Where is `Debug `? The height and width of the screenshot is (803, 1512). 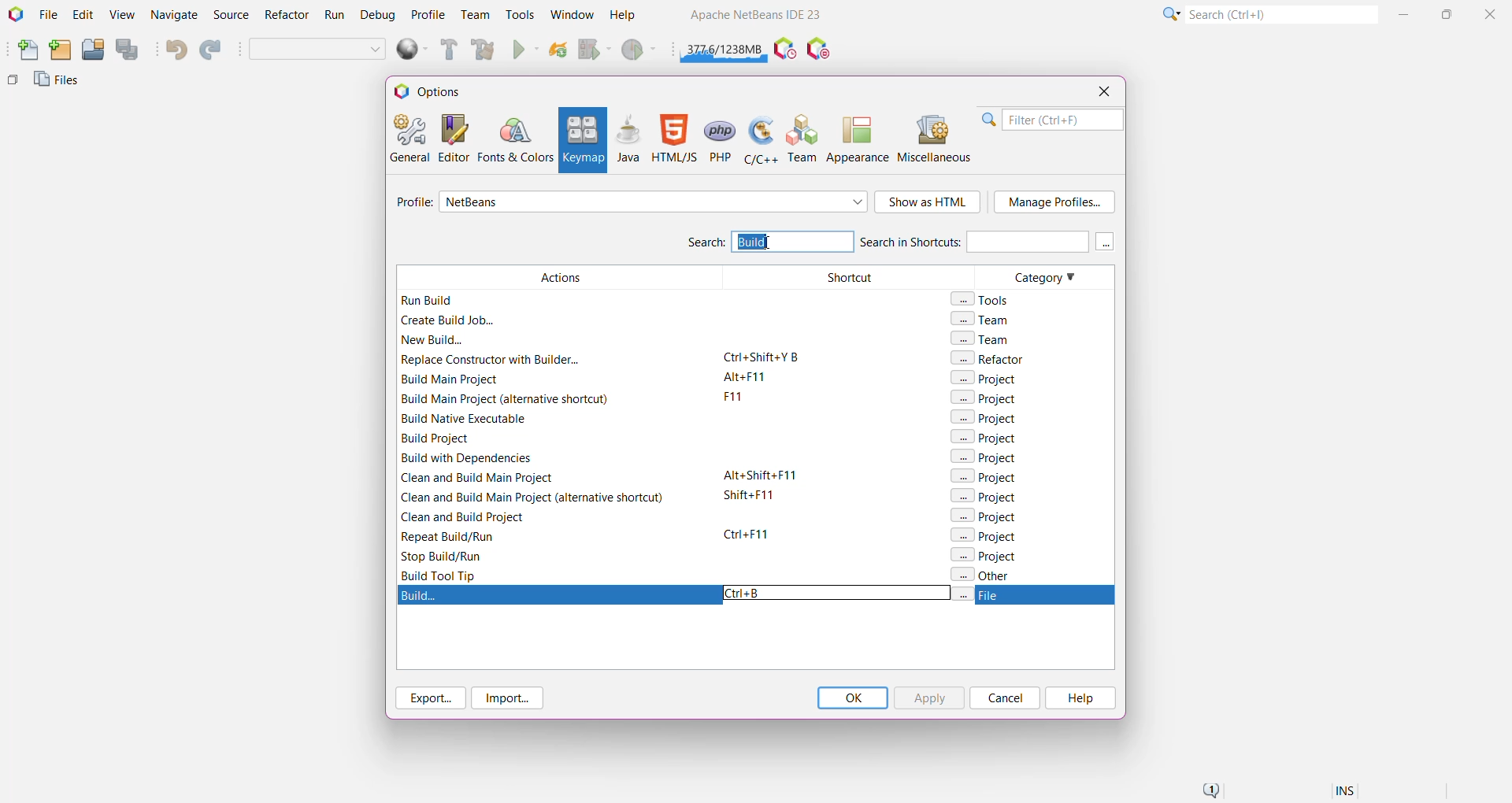
Debug  is located at coordinates (376, 16).